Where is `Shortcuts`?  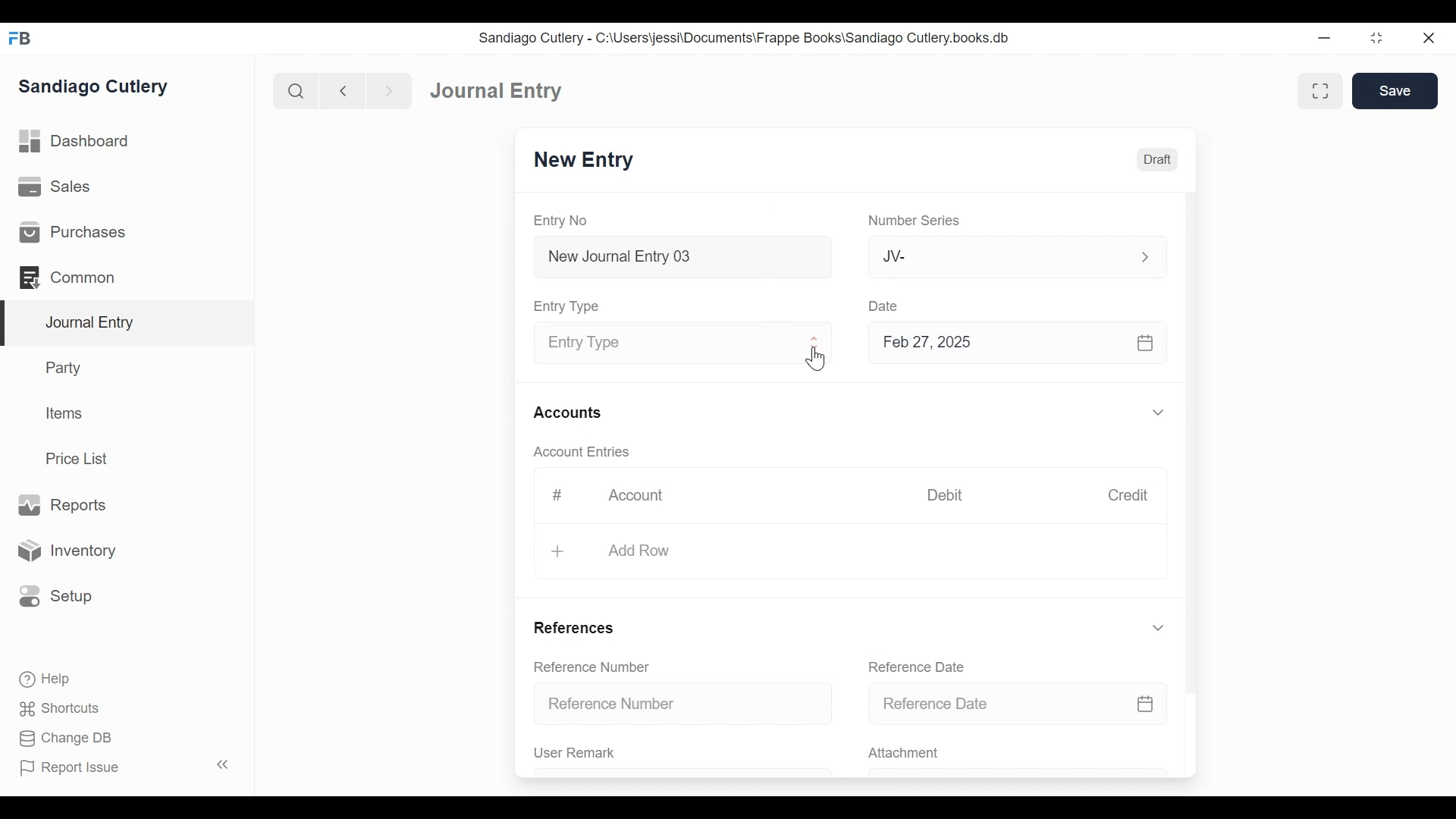 Shortcuts is located at coordinates (61, 711).